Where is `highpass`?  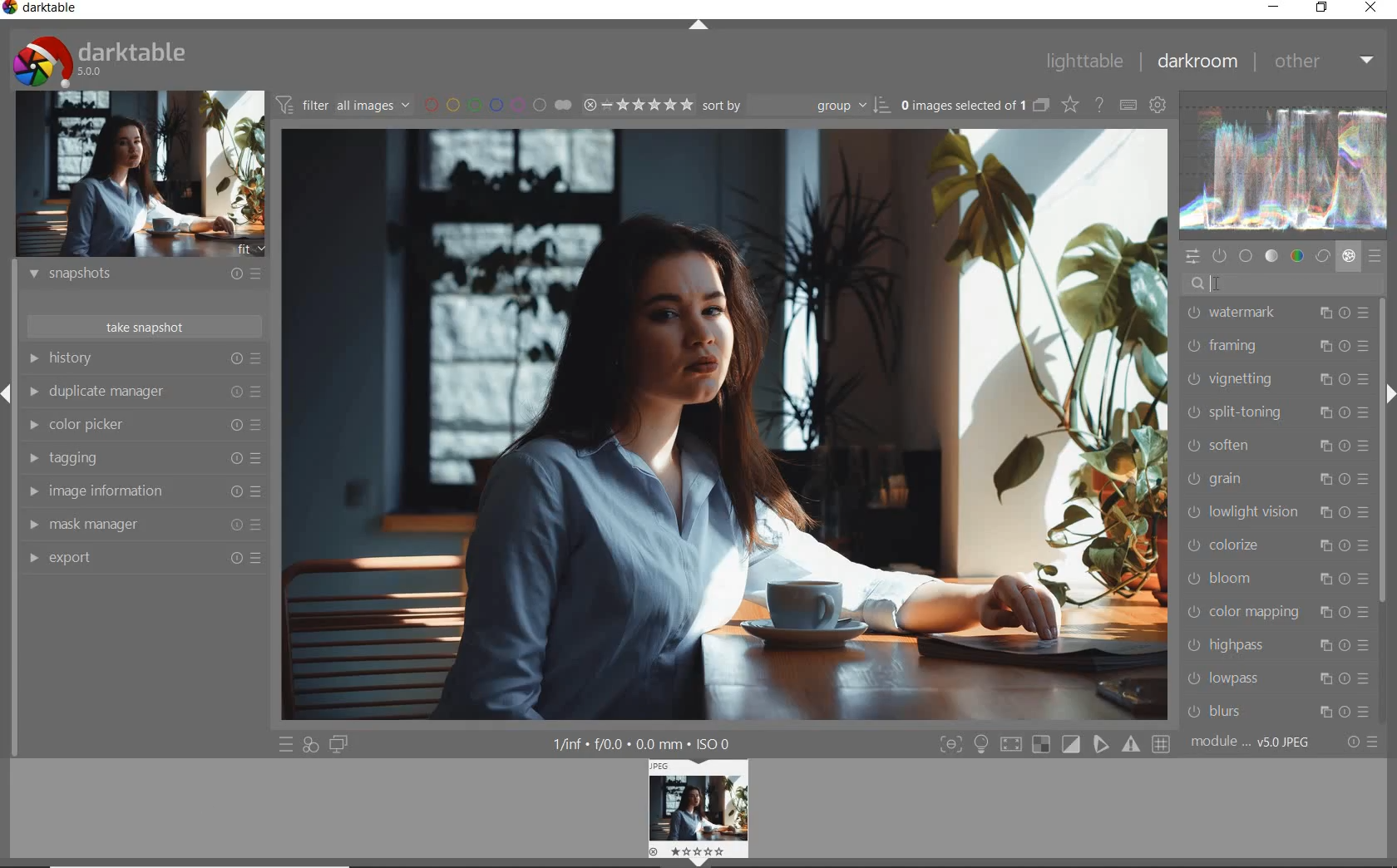
highpass is located at coordinates (1278, 646).